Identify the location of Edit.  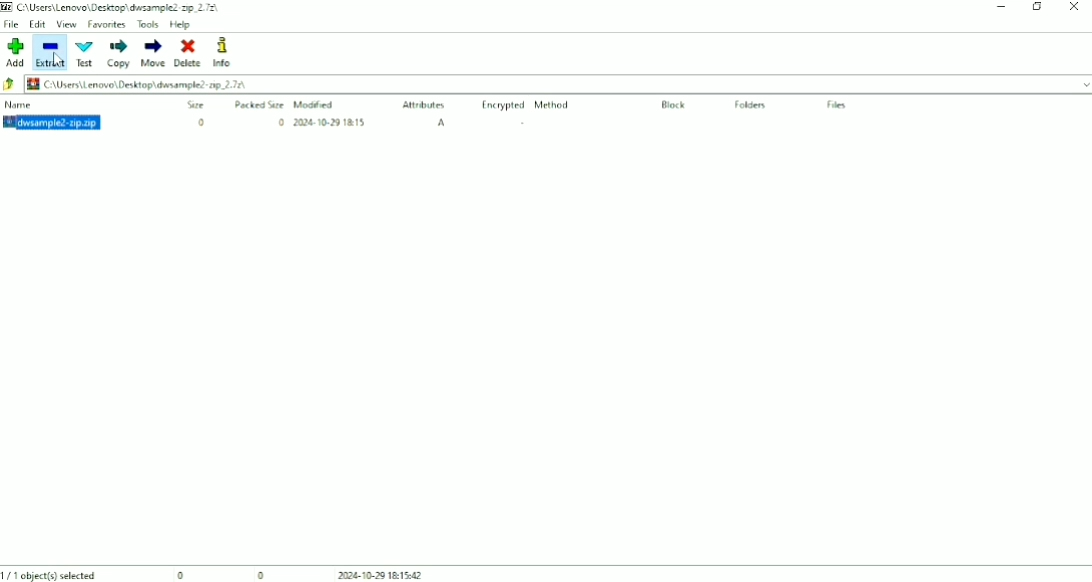
(37, 24).